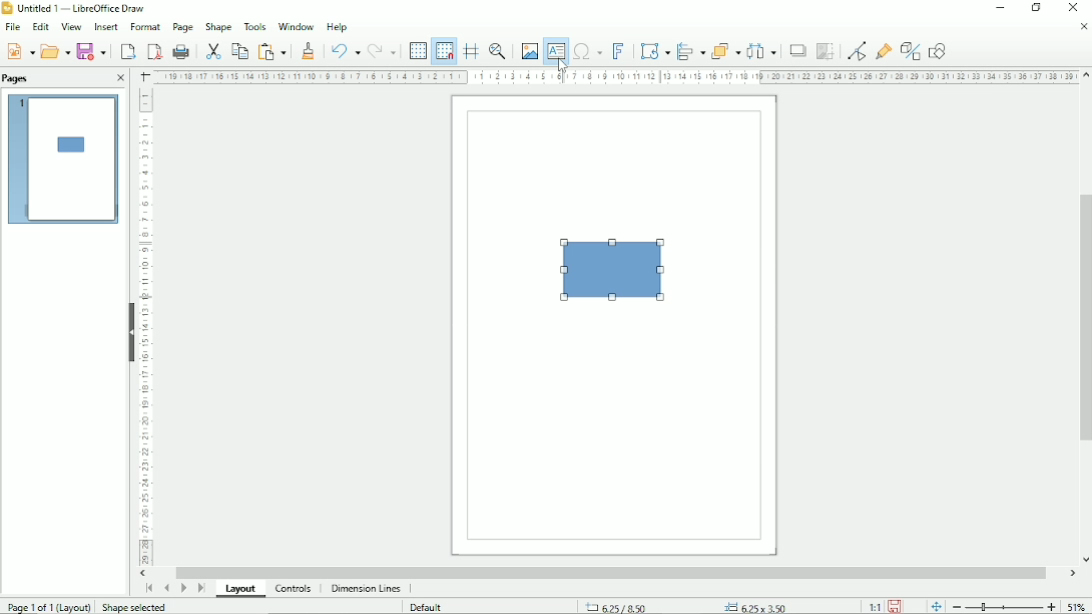 The width and height of the screenshot is (1092, 614). Describe the element at coordinates (181, 51) in the screenshot. I see `Print` at that location.